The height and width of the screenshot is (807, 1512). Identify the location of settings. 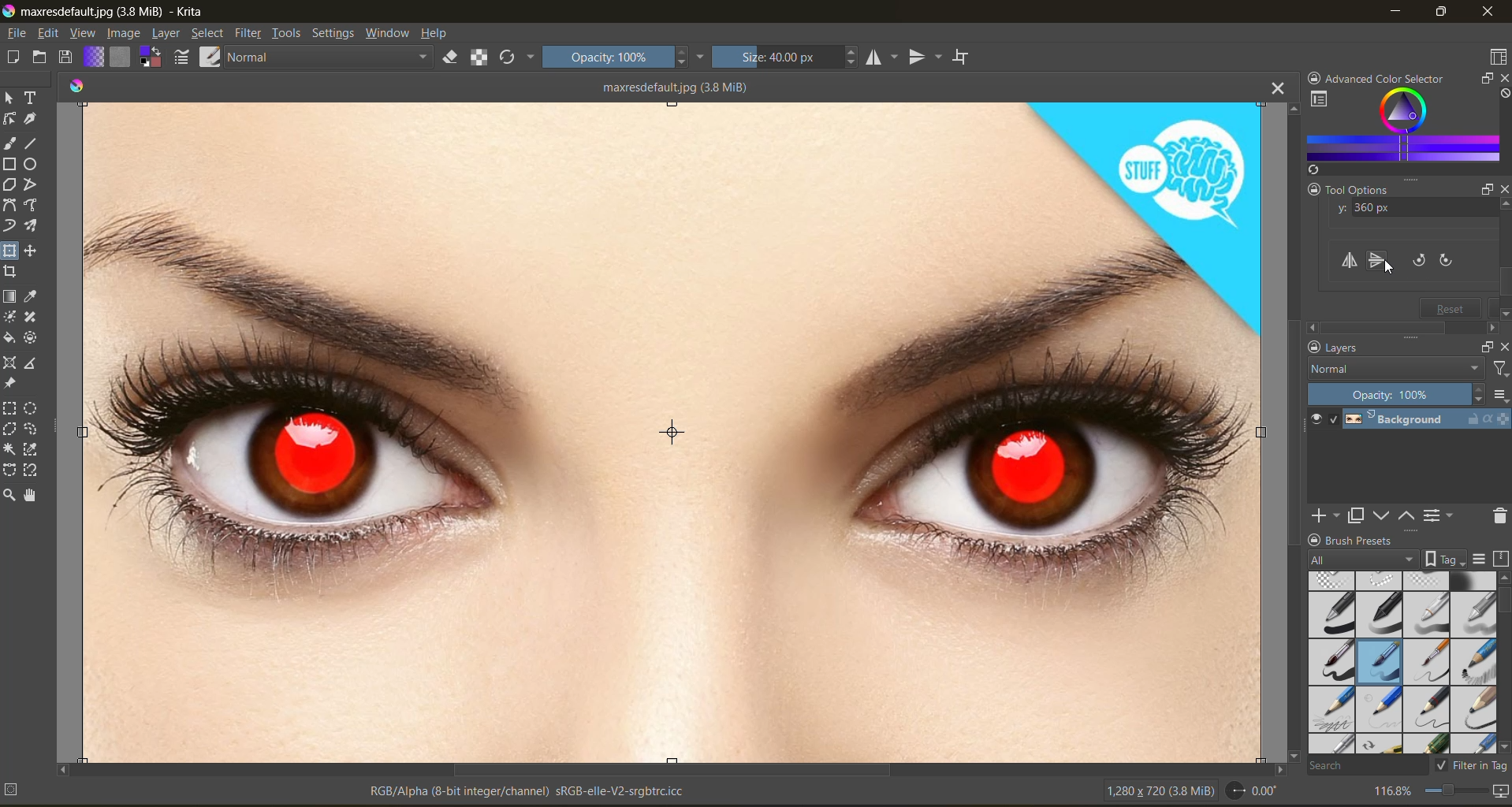
(335, 33).